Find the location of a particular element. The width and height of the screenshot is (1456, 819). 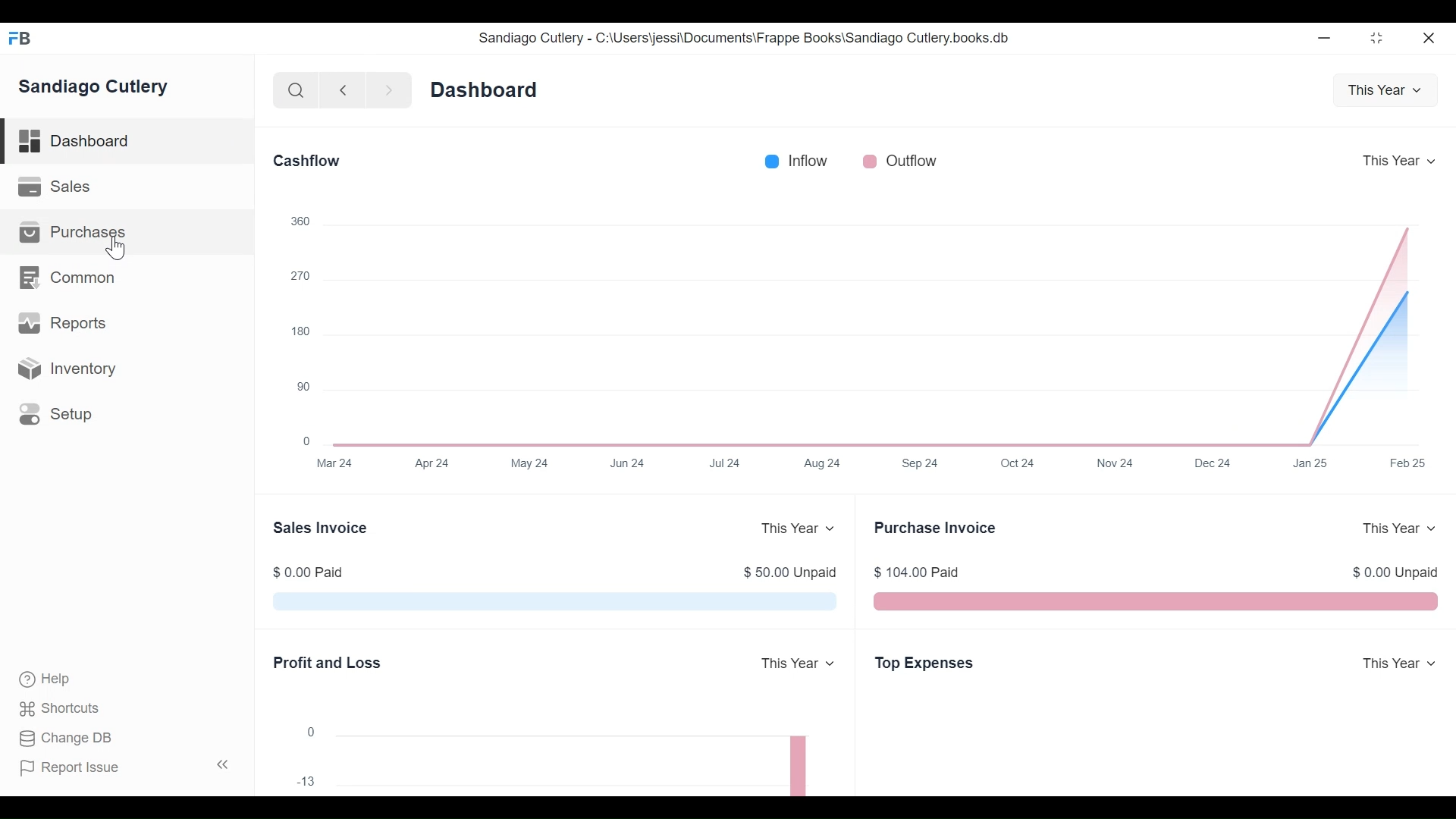

Apr 24 is located at coordinates (433, 463).